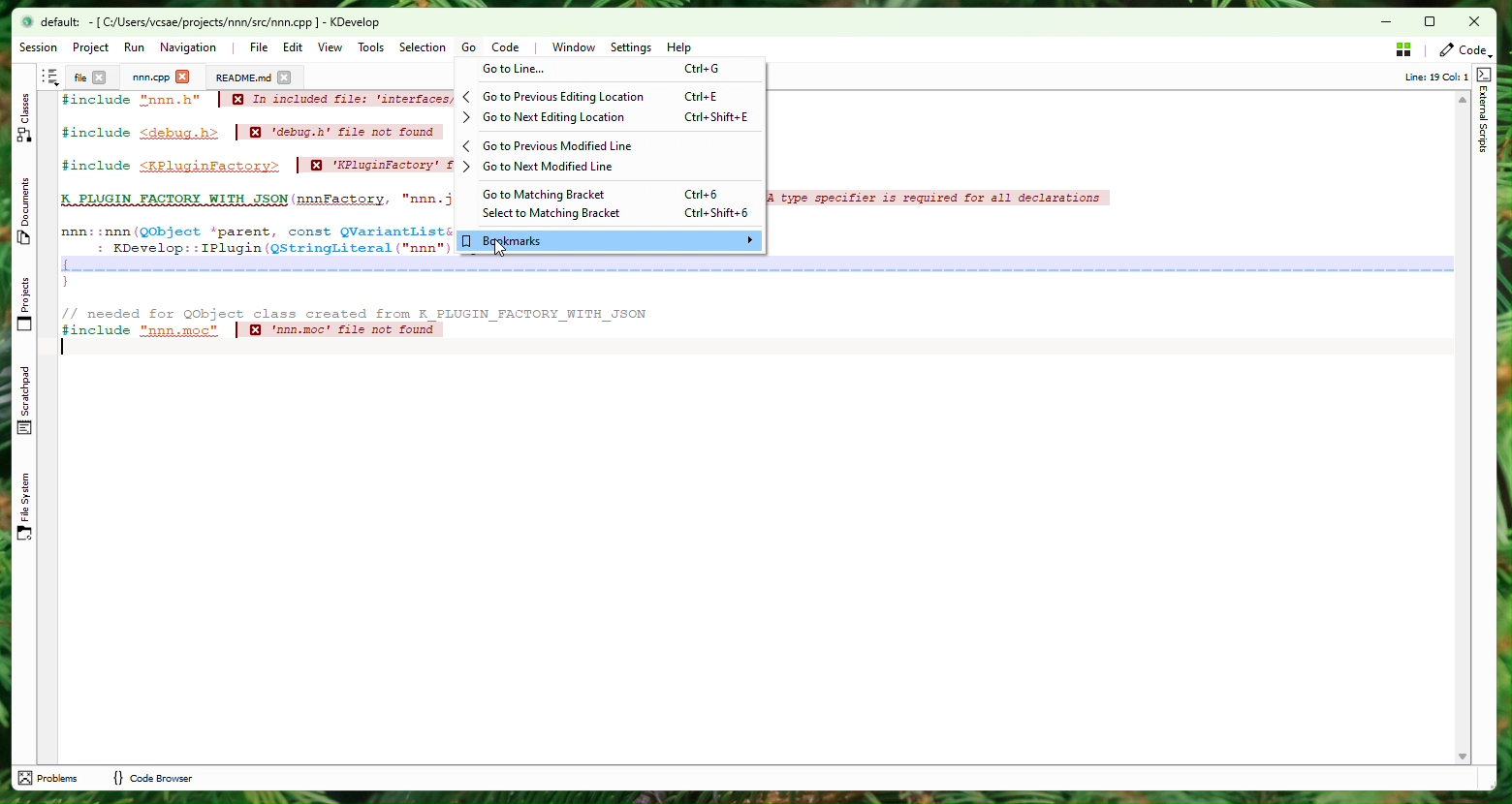 This screenshot has width=1512, height=804. Describe the element at coordinates (50, 778) in the screenshot. I see `problems` at that location.